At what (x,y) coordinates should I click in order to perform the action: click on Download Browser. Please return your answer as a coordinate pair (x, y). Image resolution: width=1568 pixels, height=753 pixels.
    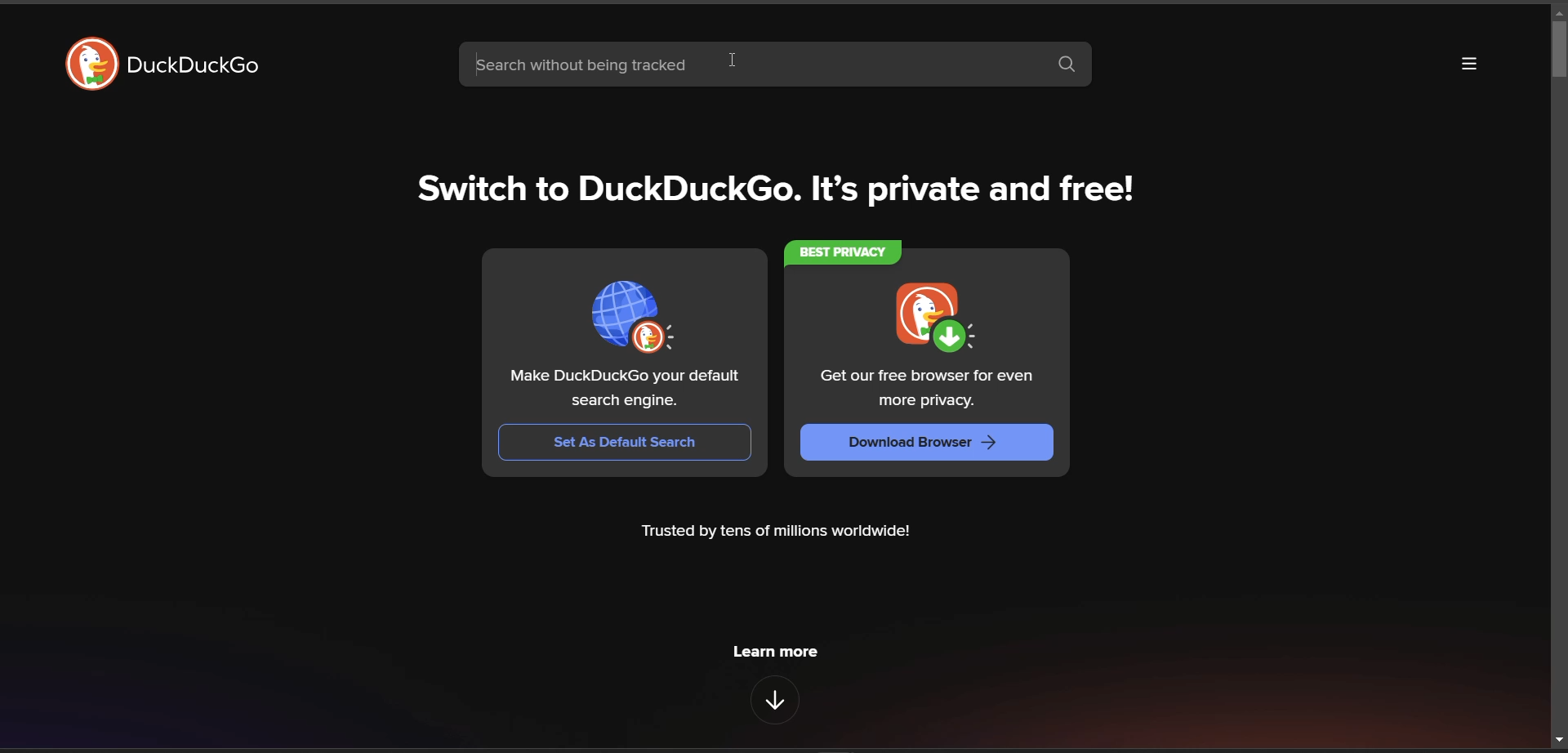
    Looking at the image, I should click on (929, 444).